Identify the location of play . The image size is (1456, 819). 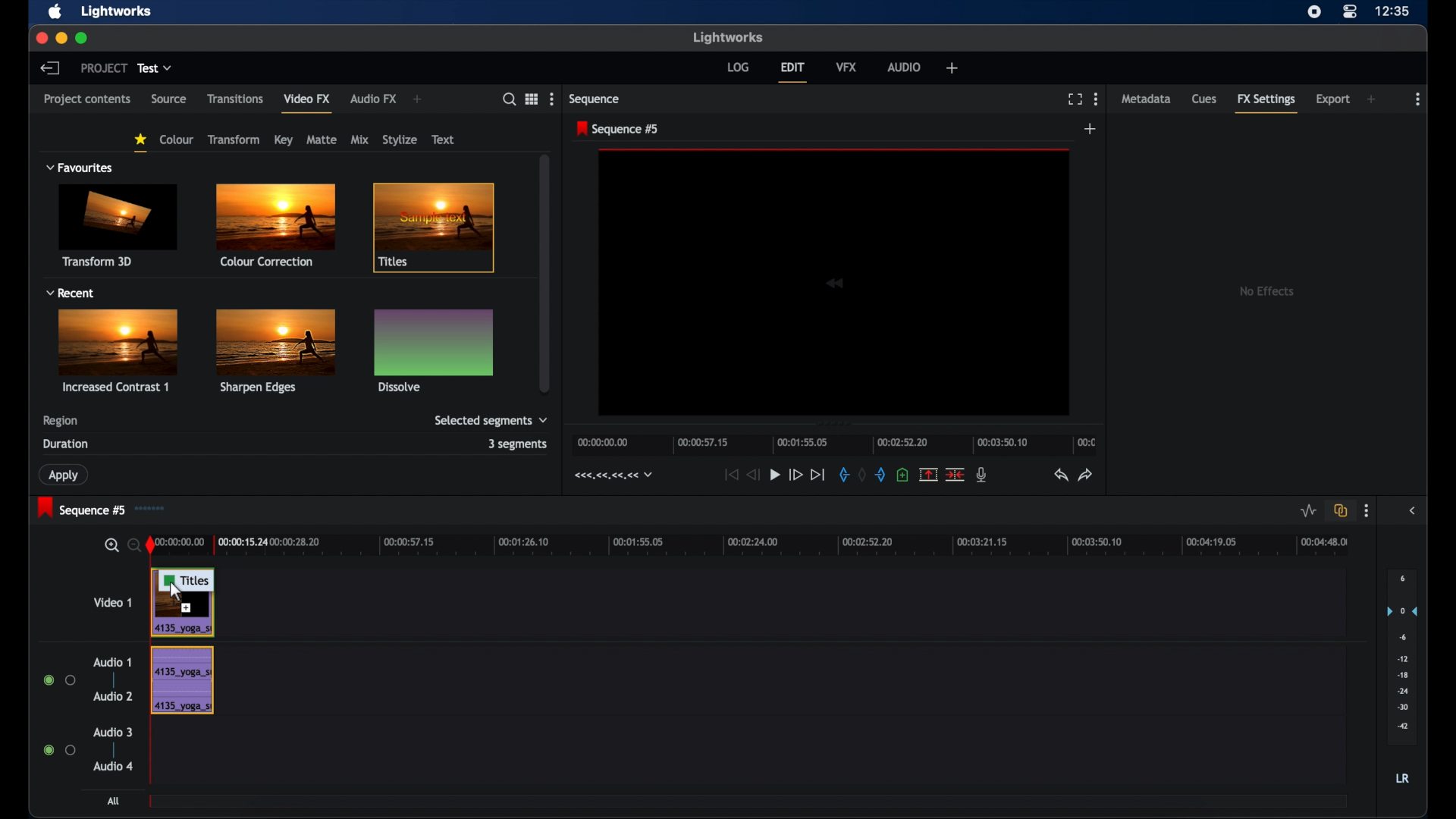
(775, 475).